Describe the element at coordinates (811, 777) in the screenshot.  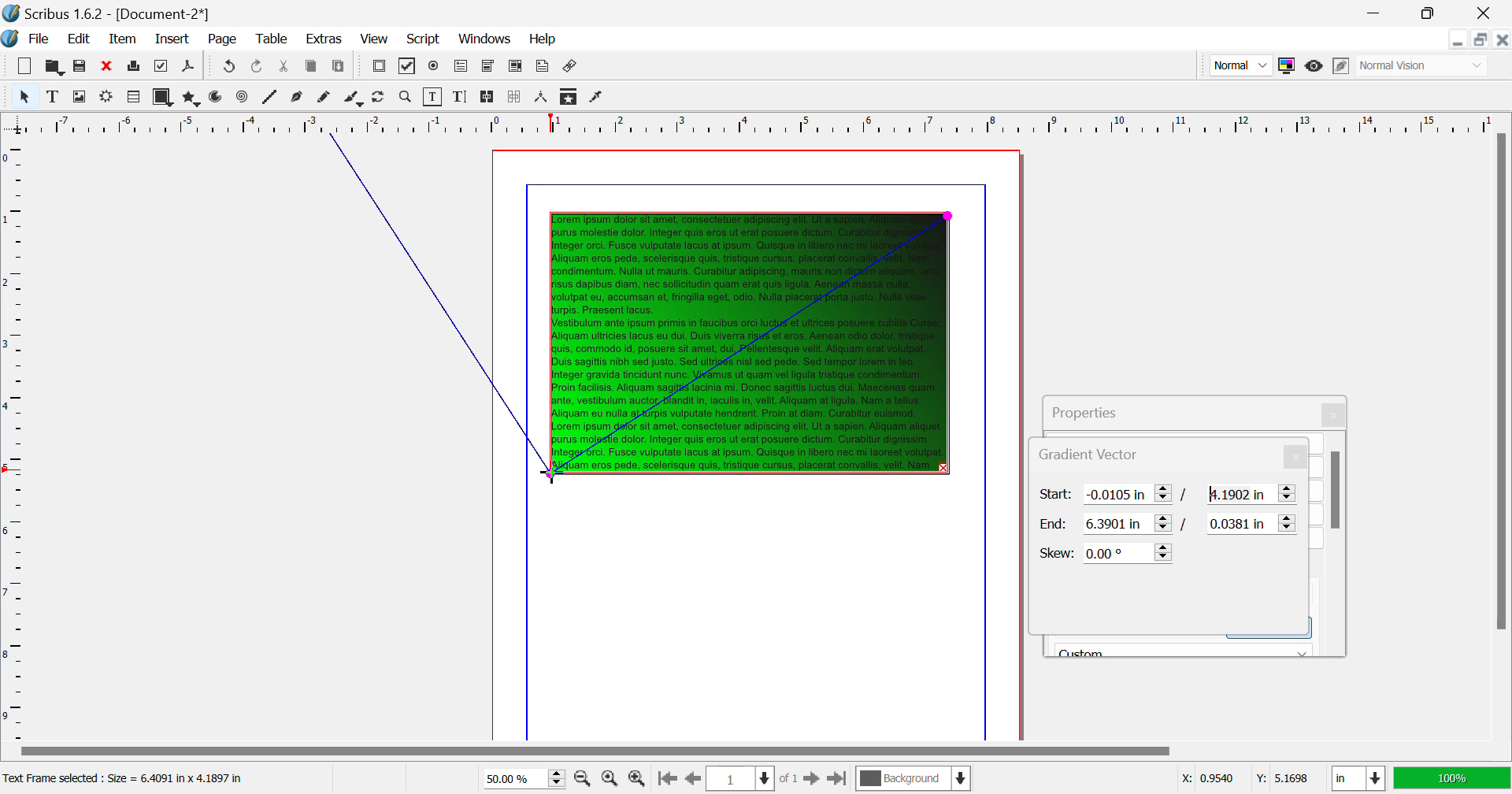
I see `Next Page` at that location.